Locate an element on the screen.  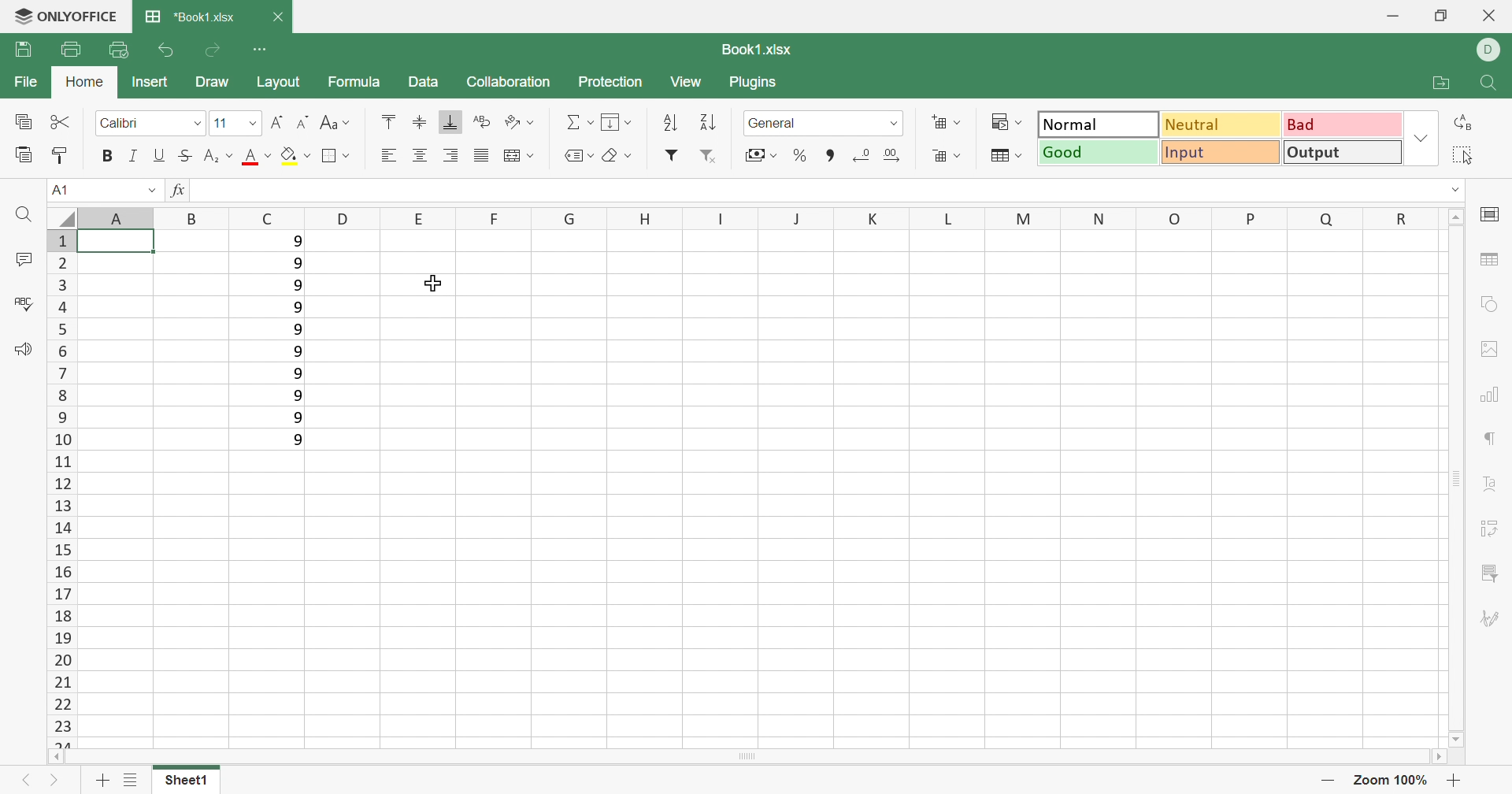
Column names is located at coordinates (732, 217).